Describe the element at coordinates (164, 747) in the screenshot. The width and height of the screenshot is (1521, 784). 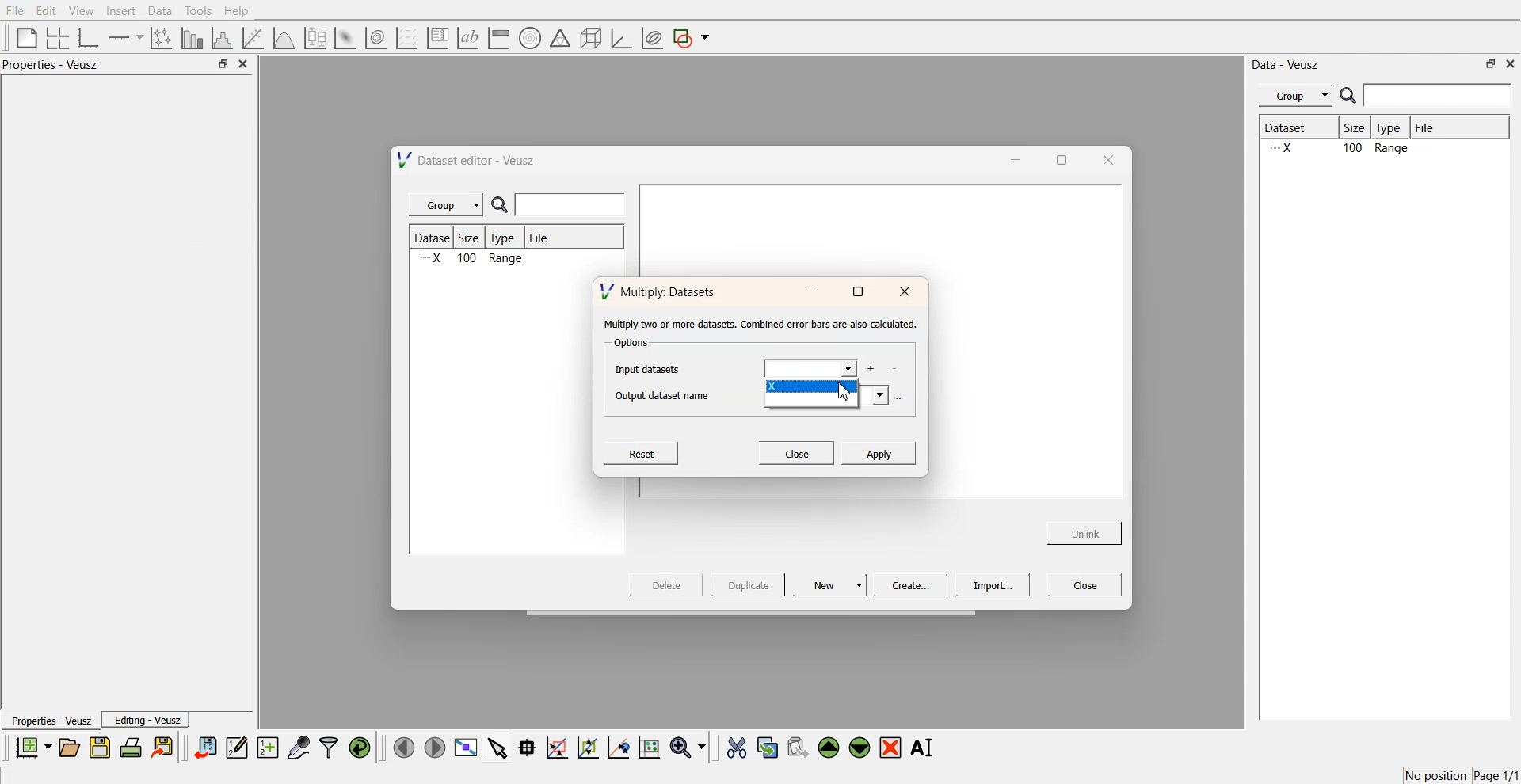
I see `export` at that location.